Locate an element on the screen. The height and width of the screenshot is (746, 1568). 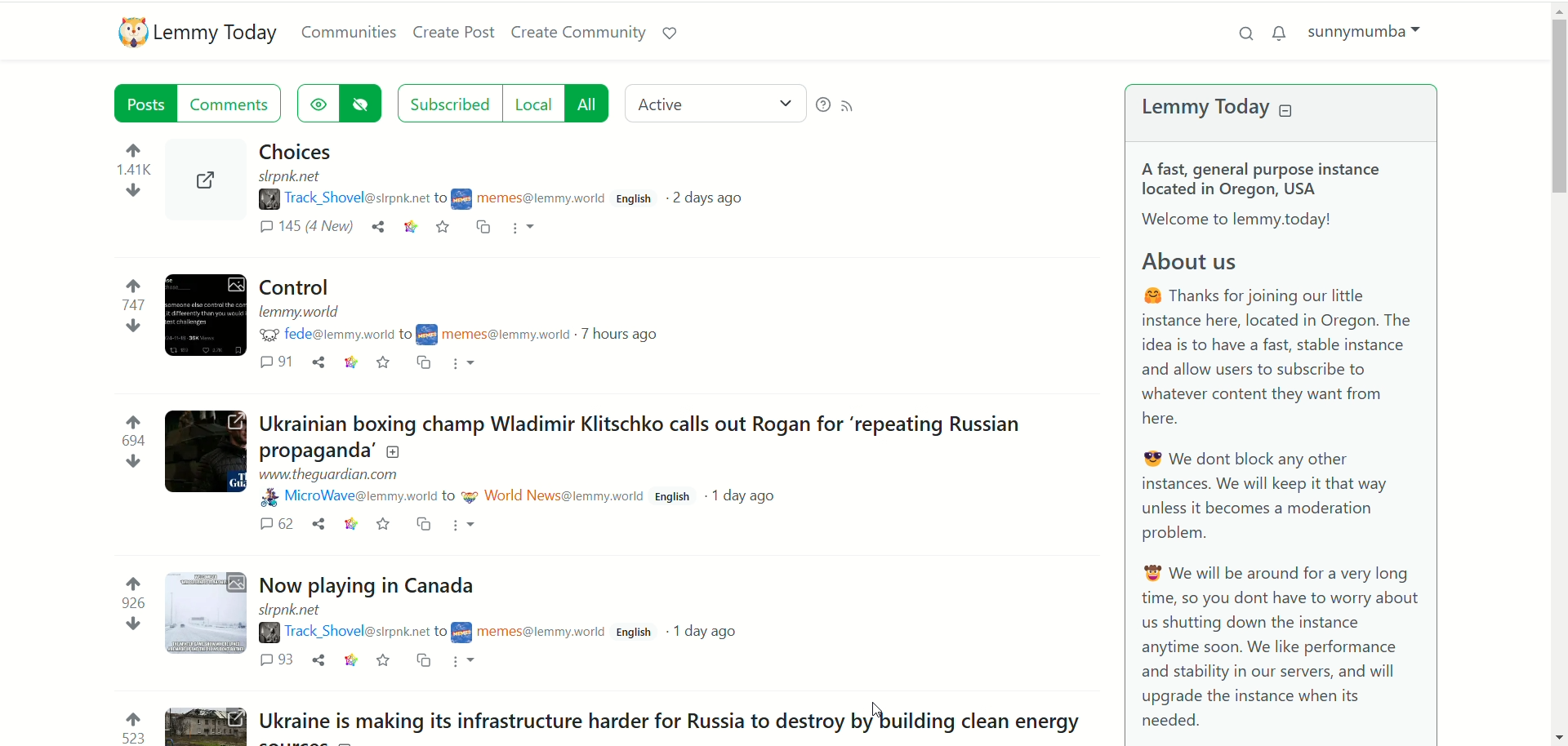
english is located at coordinates (634, 197).